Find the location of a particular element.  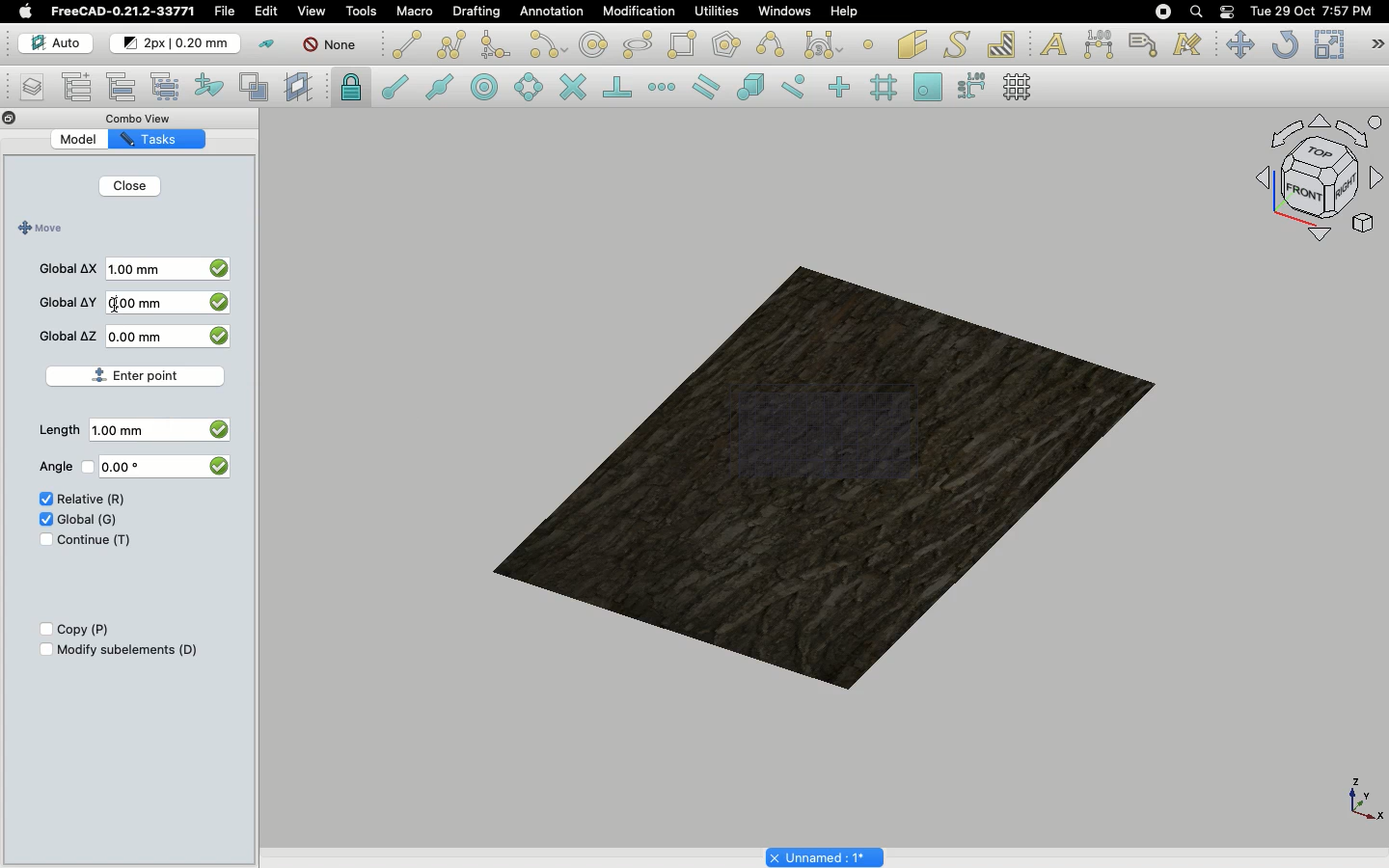

Snap ortho is located at coordinates (842, 89).